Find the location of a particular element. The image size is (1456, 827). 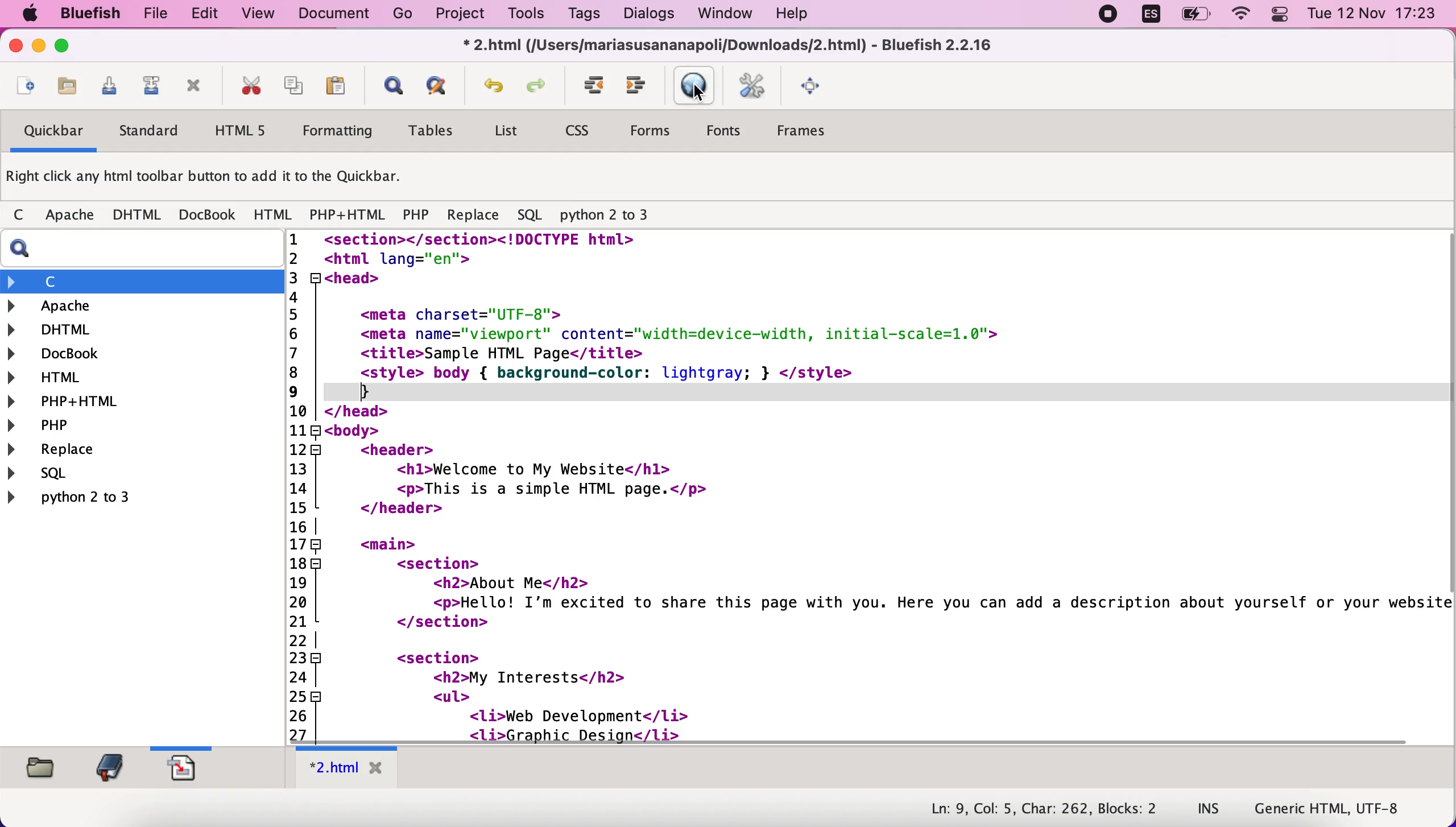

cursor is located at coordinates (699, 95).